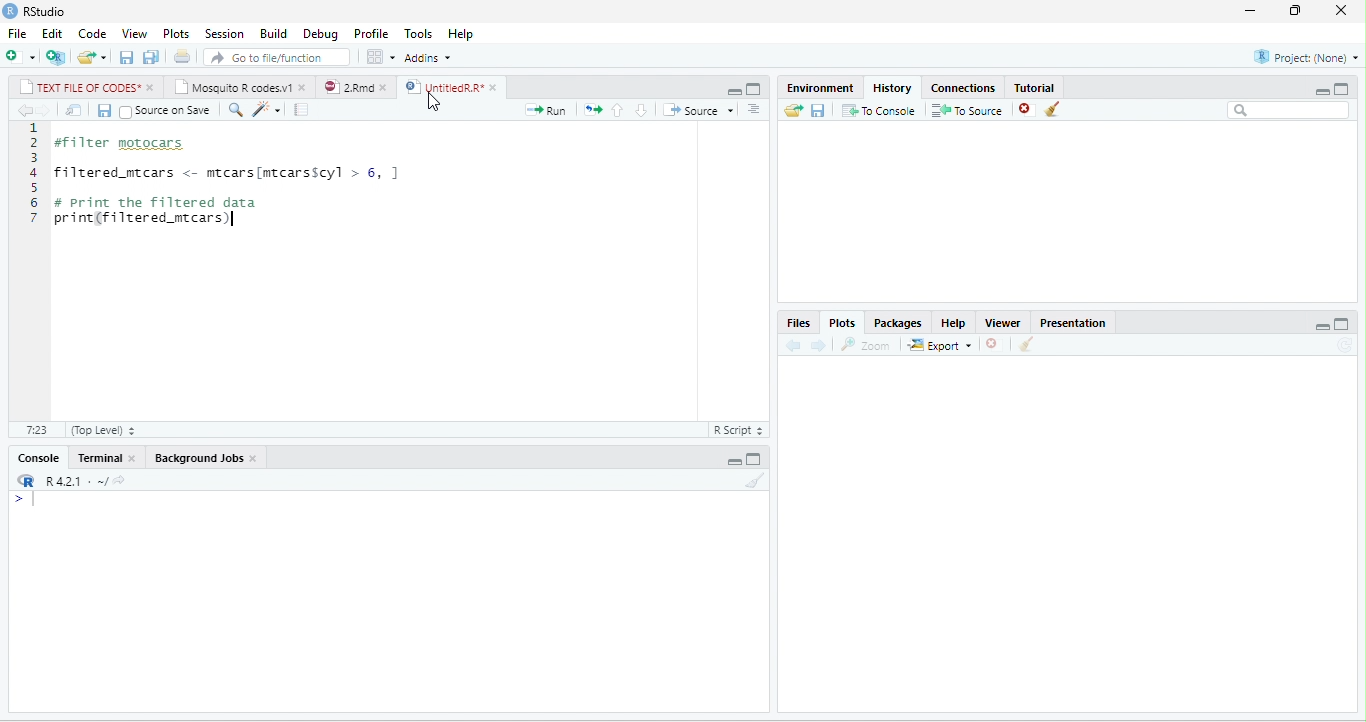 The image size is (1366, 722). I want to click on Edit, so click(52, 33).